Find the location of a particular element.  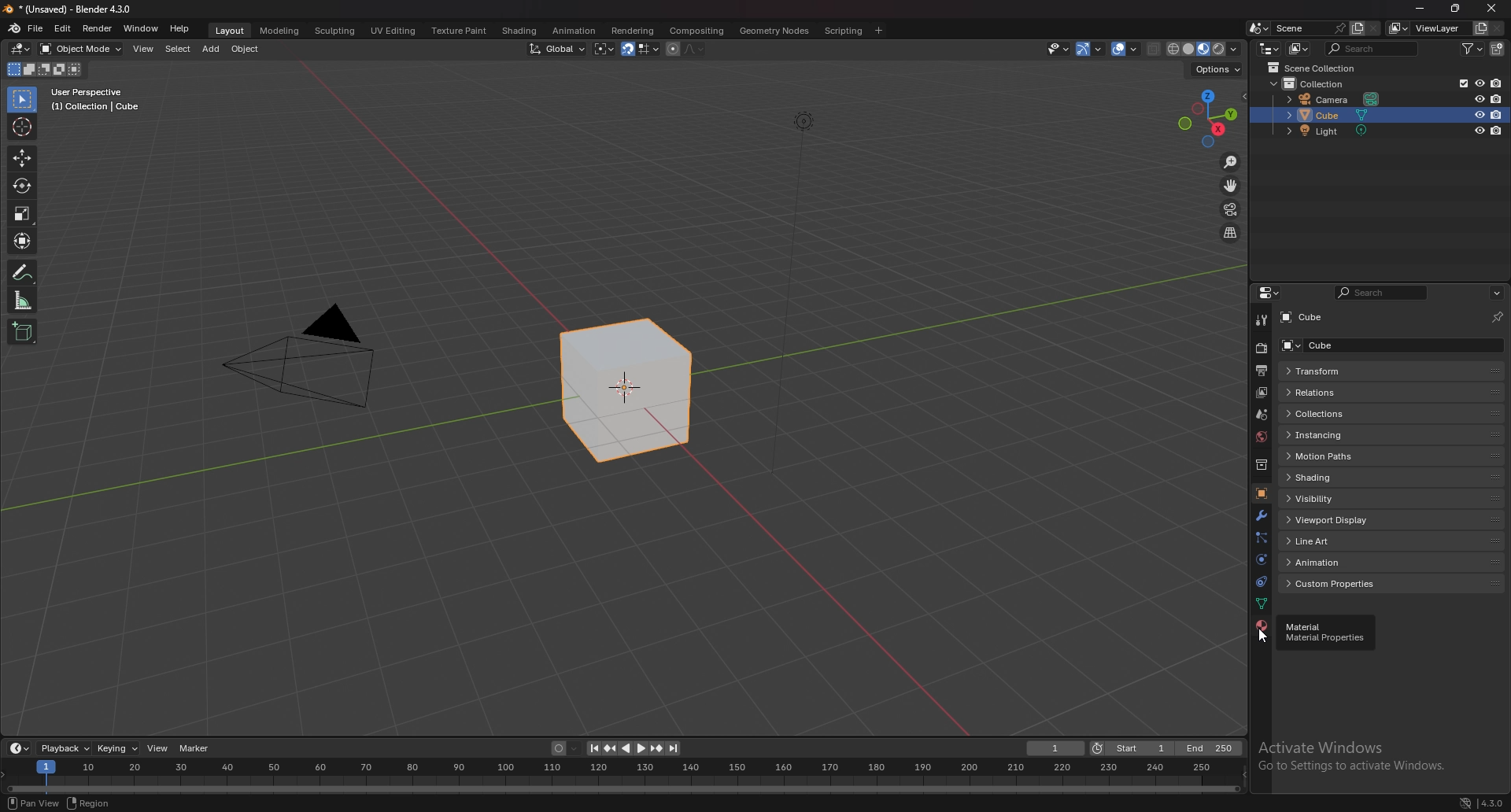

cube is located at coordinates (1391, 345).